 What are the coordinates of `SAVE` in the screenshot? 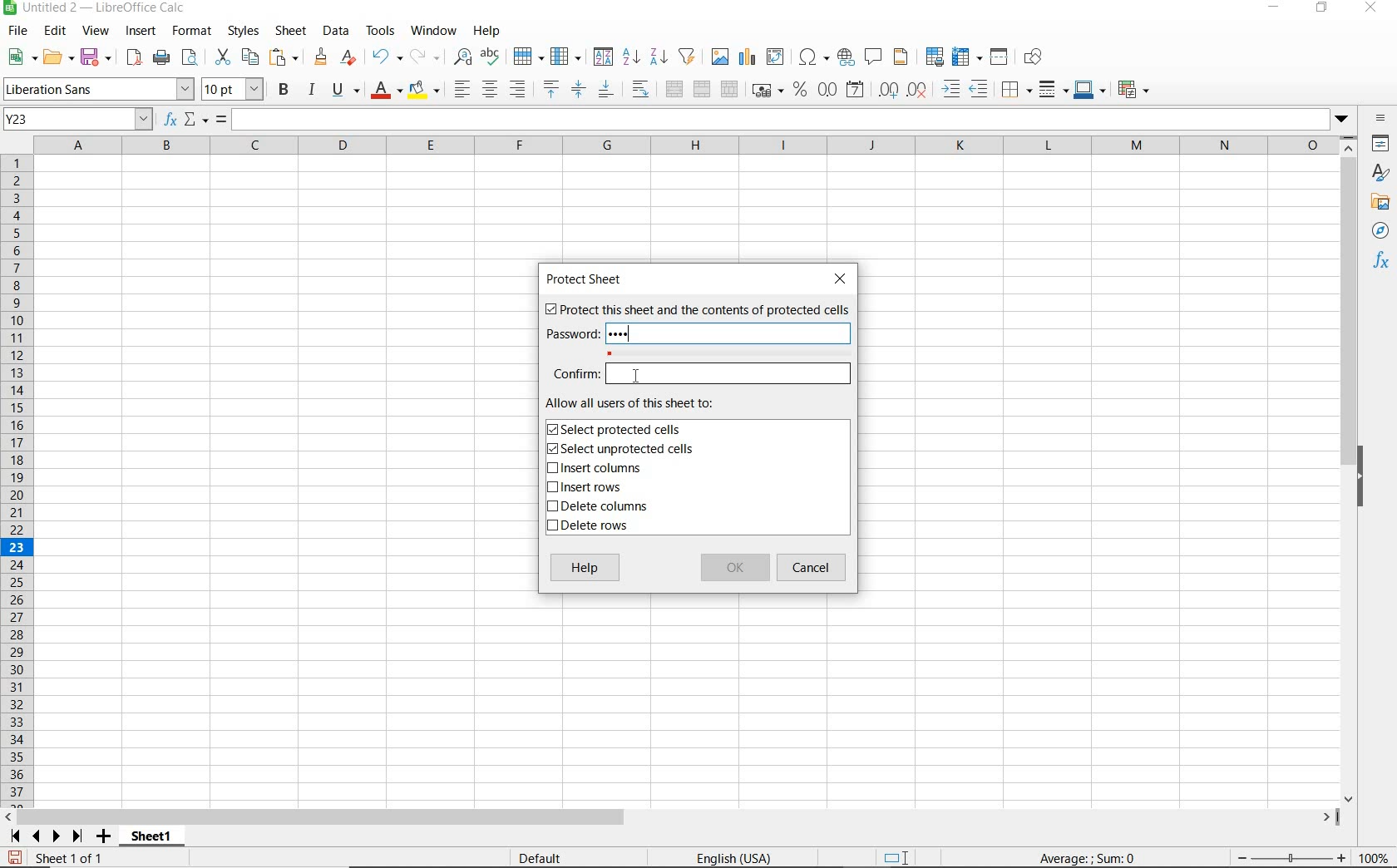 It's located at (96, 57).